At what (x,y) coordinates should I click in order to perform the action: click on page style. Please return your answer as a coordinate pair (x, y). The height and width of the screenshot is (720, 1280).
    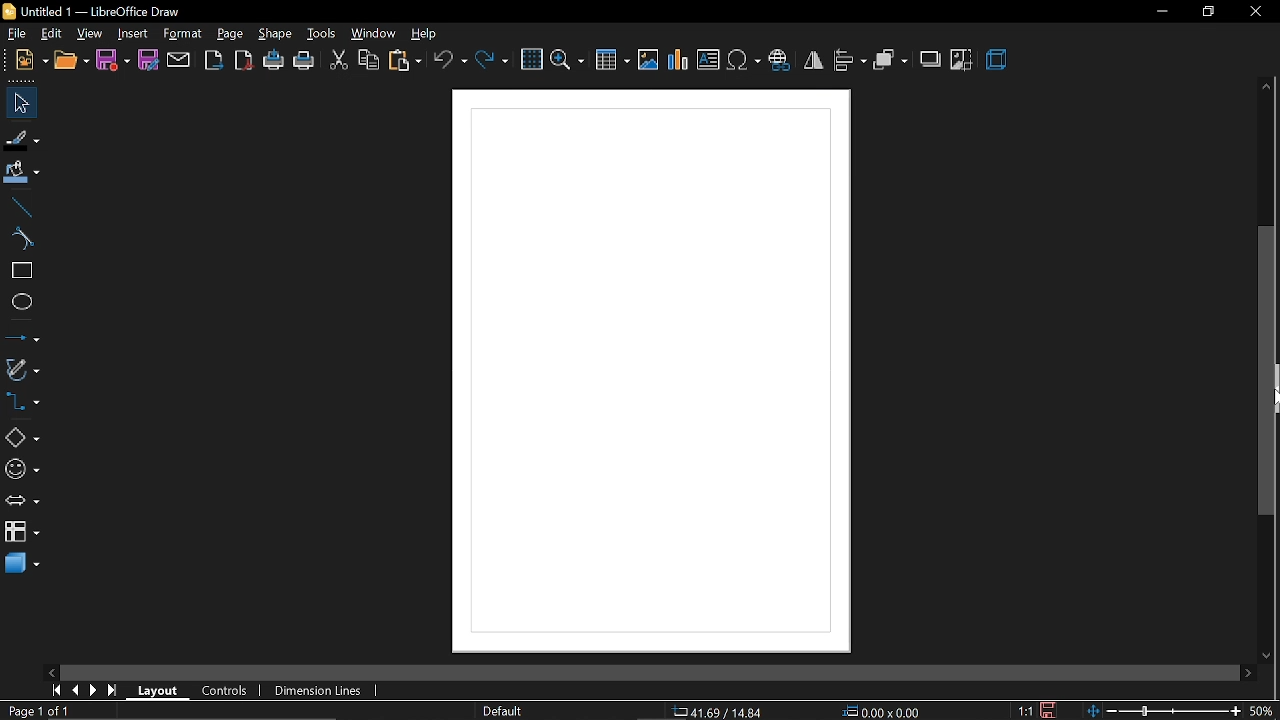
    Looking at the image, I should click on (504, 712).